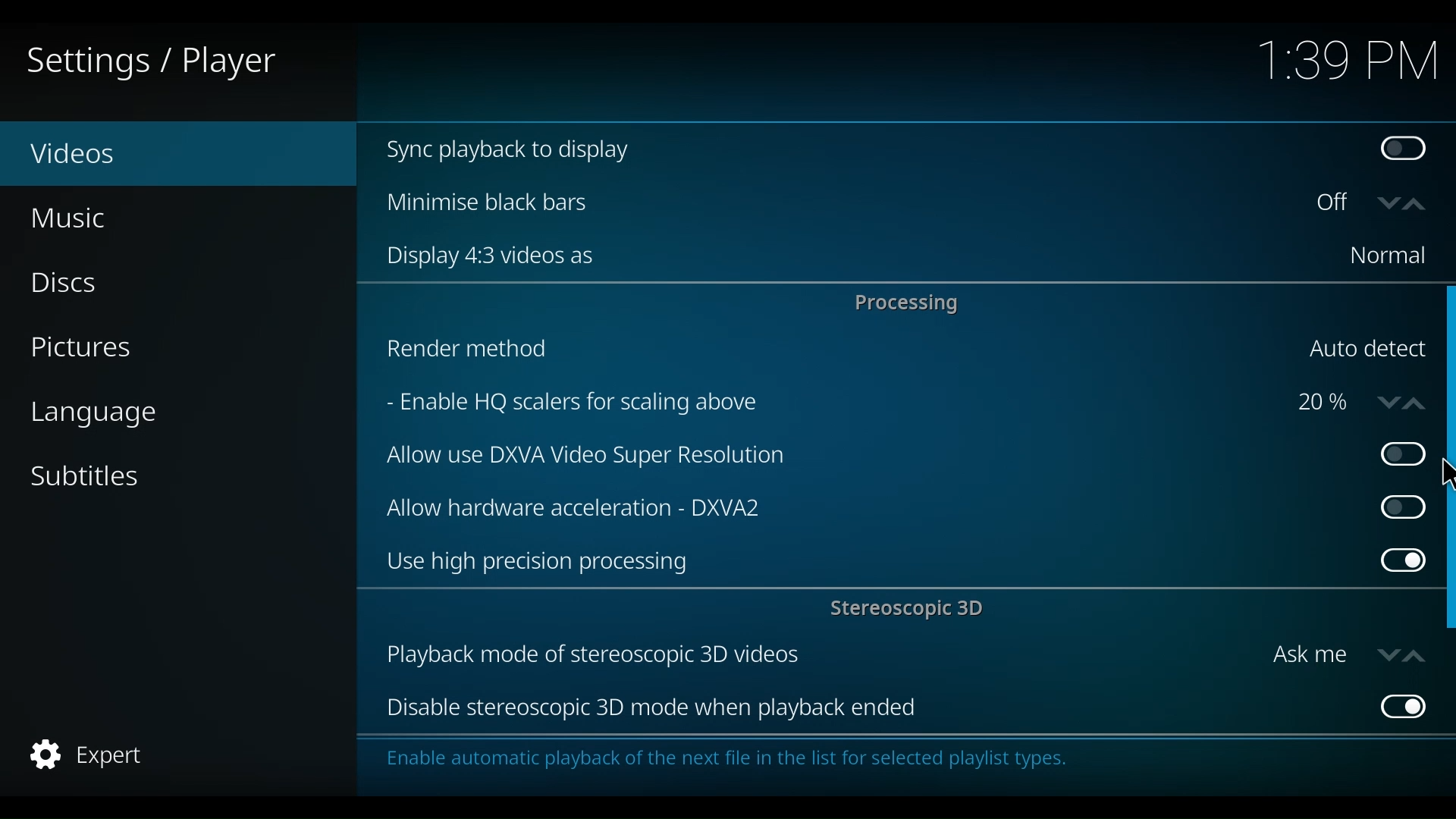 This screenshot has width=1456, height=819. Describe the element at coordinates (872, 563) in the screenshot. I see `Use high precision proessing` at that location.